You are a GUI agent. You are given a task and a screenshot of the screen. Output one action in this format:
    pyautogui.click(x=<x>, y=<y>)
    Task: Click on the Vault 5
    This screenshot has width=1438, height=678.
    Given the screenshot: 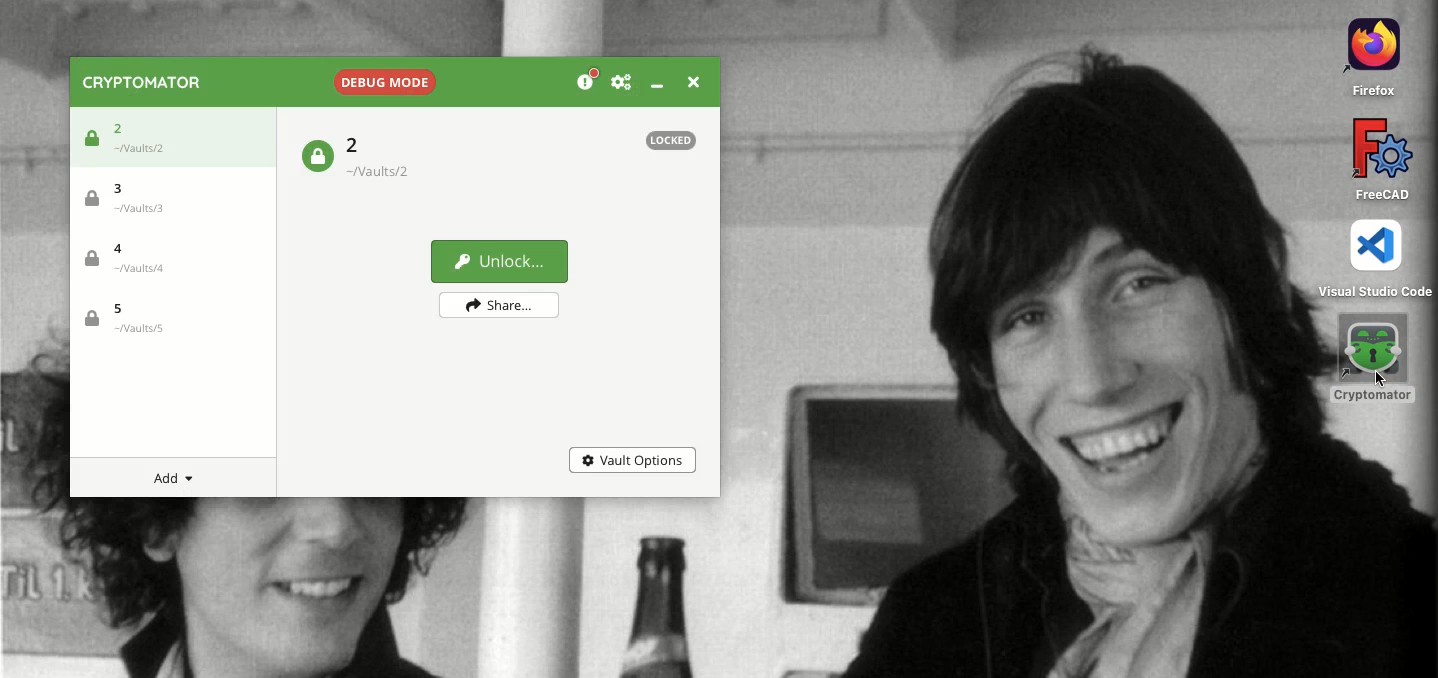 What is the action you would take?
    pyautogui.click(x=166, y=319)
    